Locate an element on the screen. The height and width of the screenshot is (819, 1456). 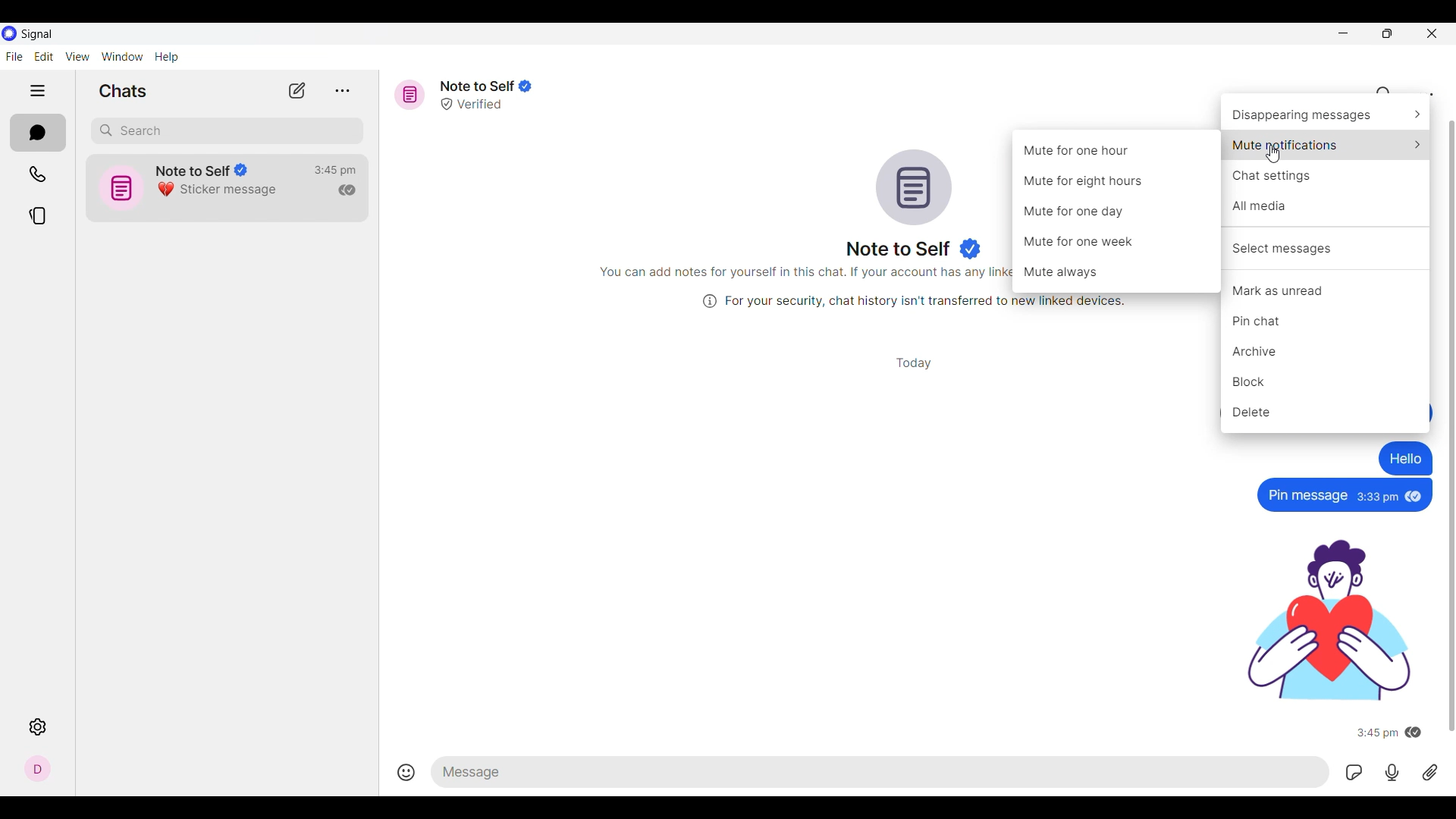
Window menu is located at coordinates (122, 57).